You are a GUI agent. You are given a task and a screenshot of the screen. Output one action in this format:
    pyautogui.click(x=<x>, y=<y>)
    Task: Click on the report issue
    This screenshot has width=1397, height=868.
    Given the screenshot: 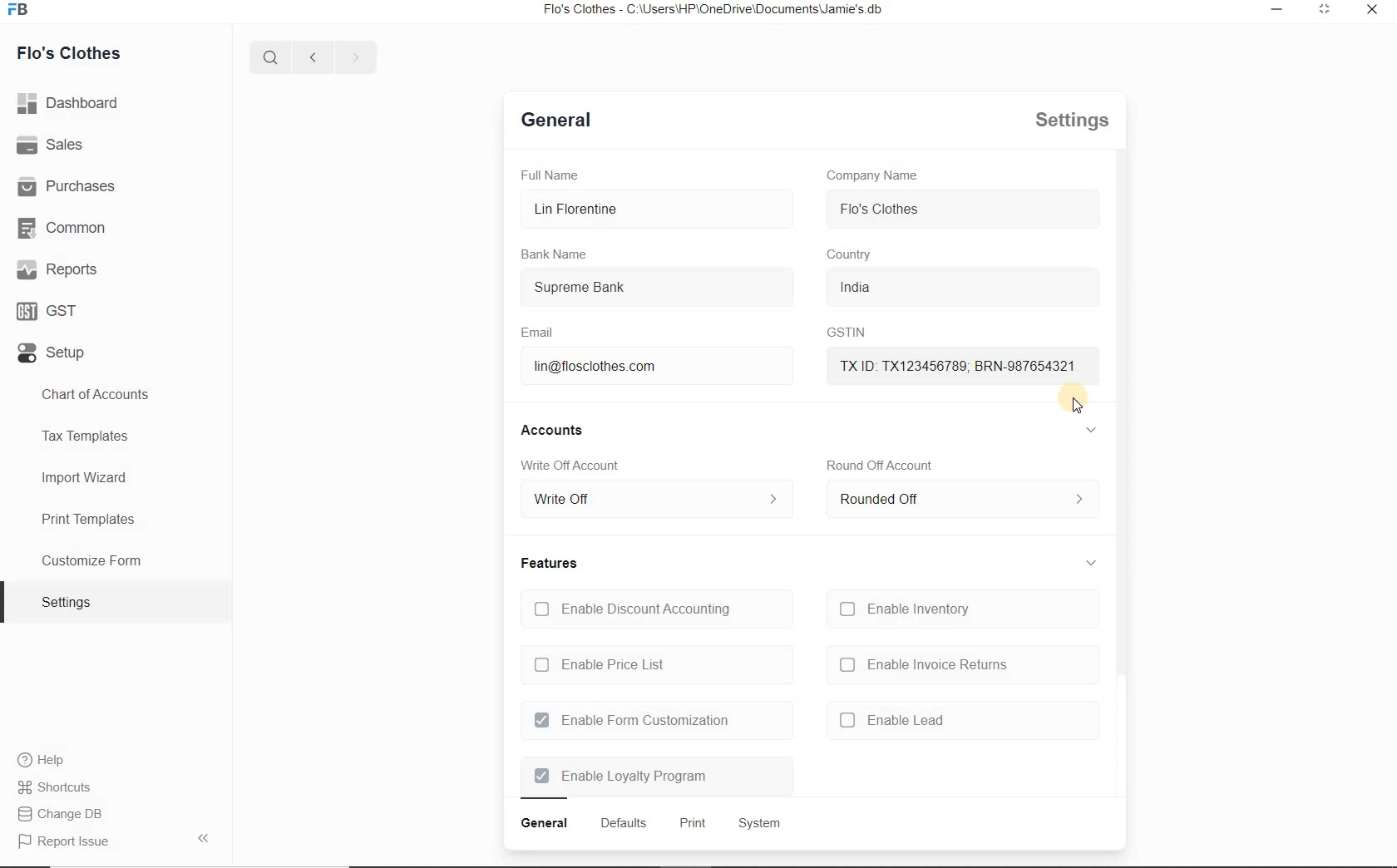 What is the action you would take?
    pyautogui.click(x=72, y=842)
    